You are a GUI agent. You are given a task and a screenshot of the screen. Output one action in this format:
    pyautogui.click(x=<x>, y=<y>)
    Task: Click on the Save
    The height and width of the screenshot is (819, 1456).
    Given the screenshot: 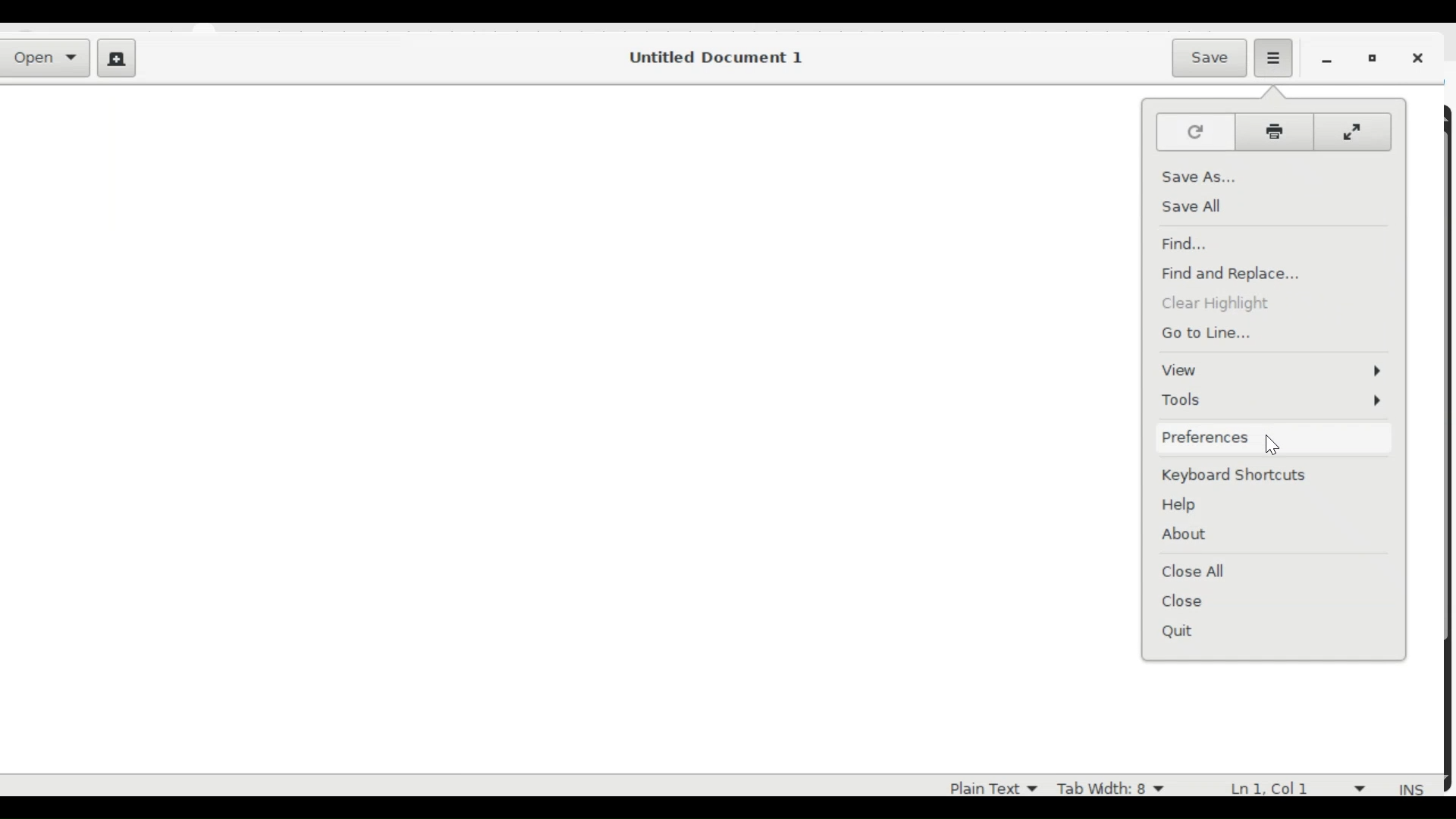 What is the action you would take?
    pyautogui.click(x=1212, y=57)
    